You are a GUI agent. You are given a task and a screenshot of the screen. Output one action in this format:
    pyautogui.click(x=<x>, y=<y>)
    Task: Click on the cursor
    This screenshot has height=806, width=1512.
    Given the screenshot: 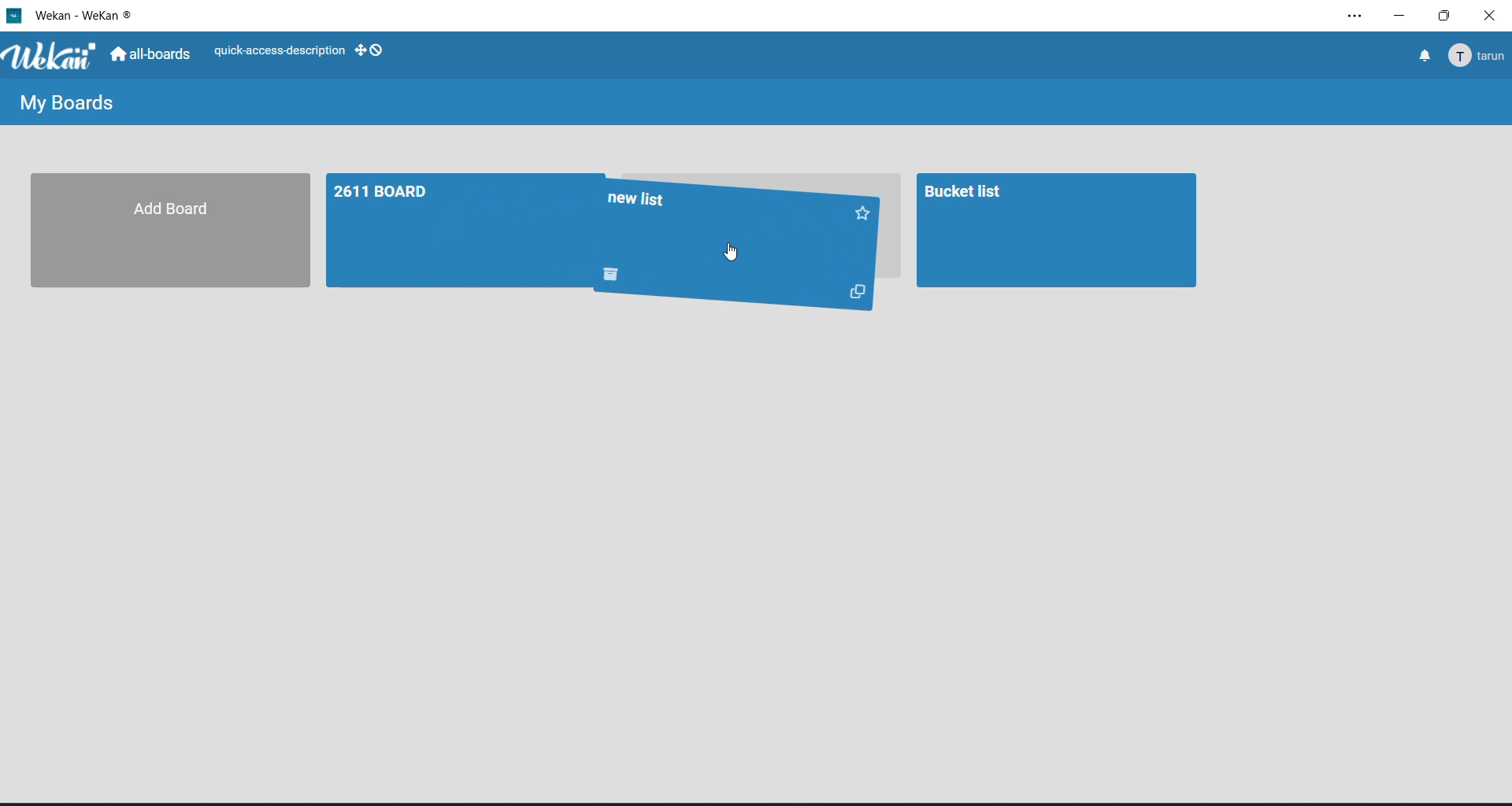 What is the action you would take?
    pyautogui.click(x=732, y=253)
    